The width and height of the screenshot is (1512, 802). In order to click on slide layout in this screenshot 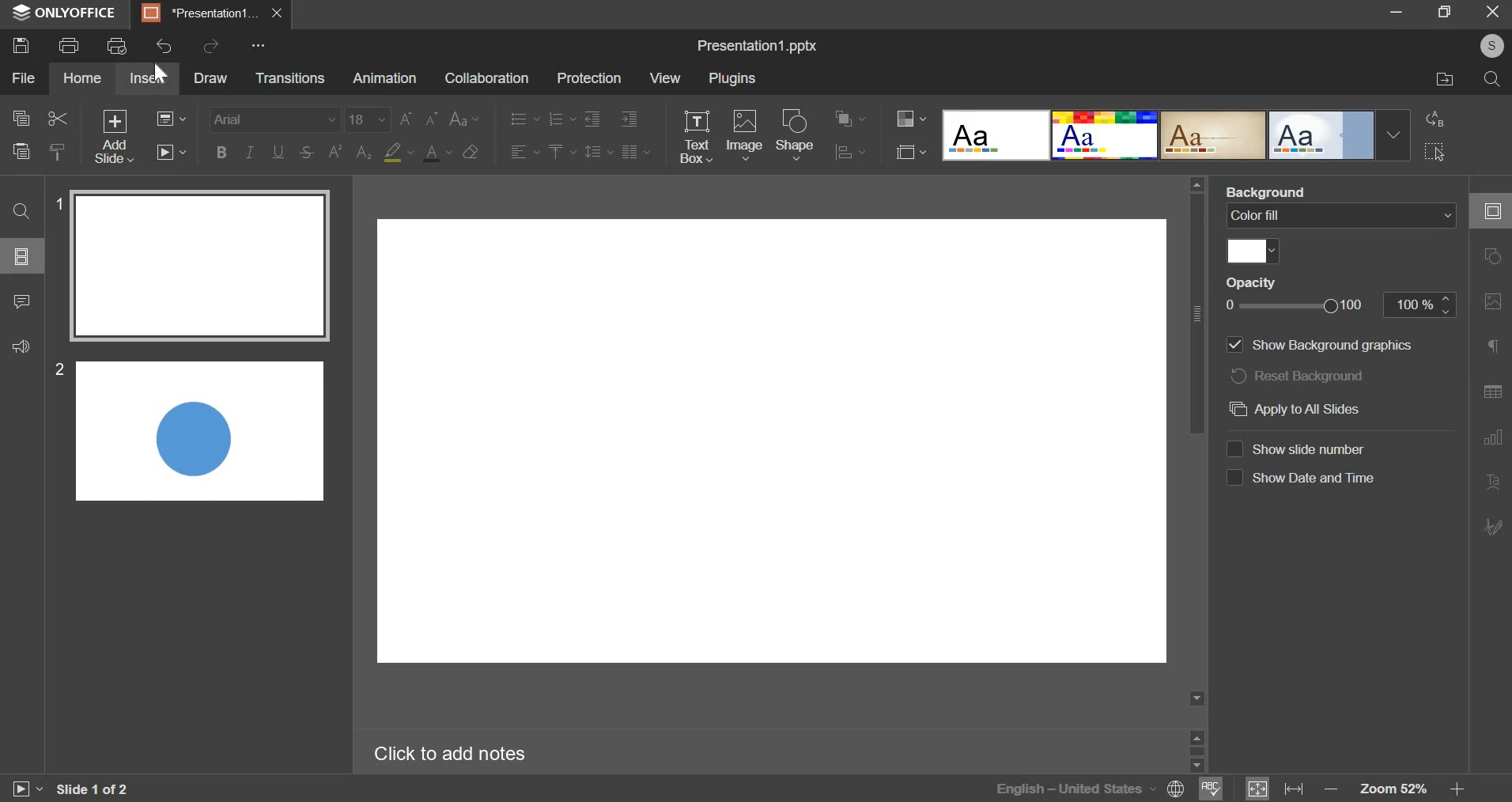, I will do `click(173, 119)`.